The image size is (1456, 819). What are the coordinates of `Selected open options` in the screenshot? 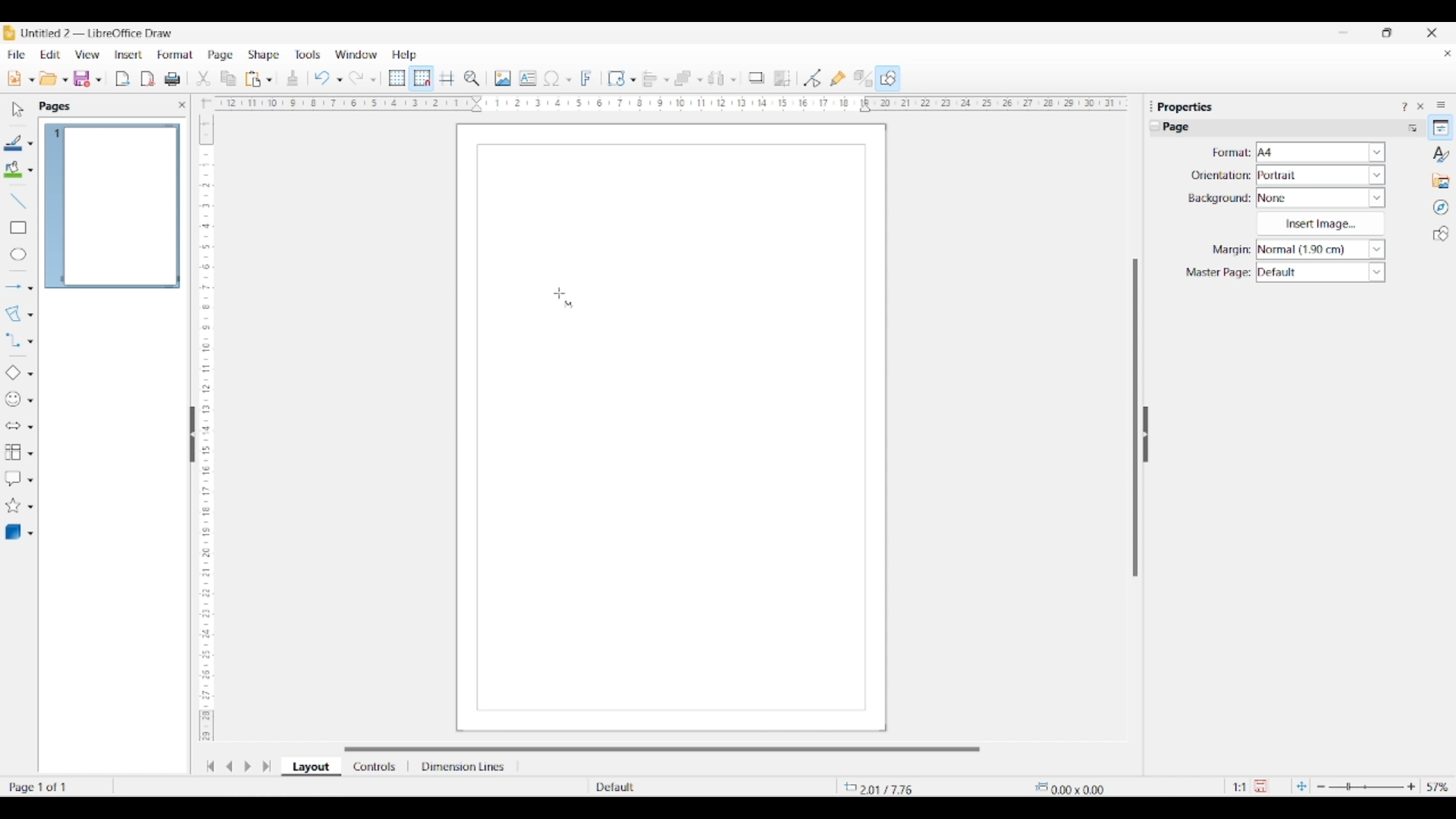 It's located at (49, 79).